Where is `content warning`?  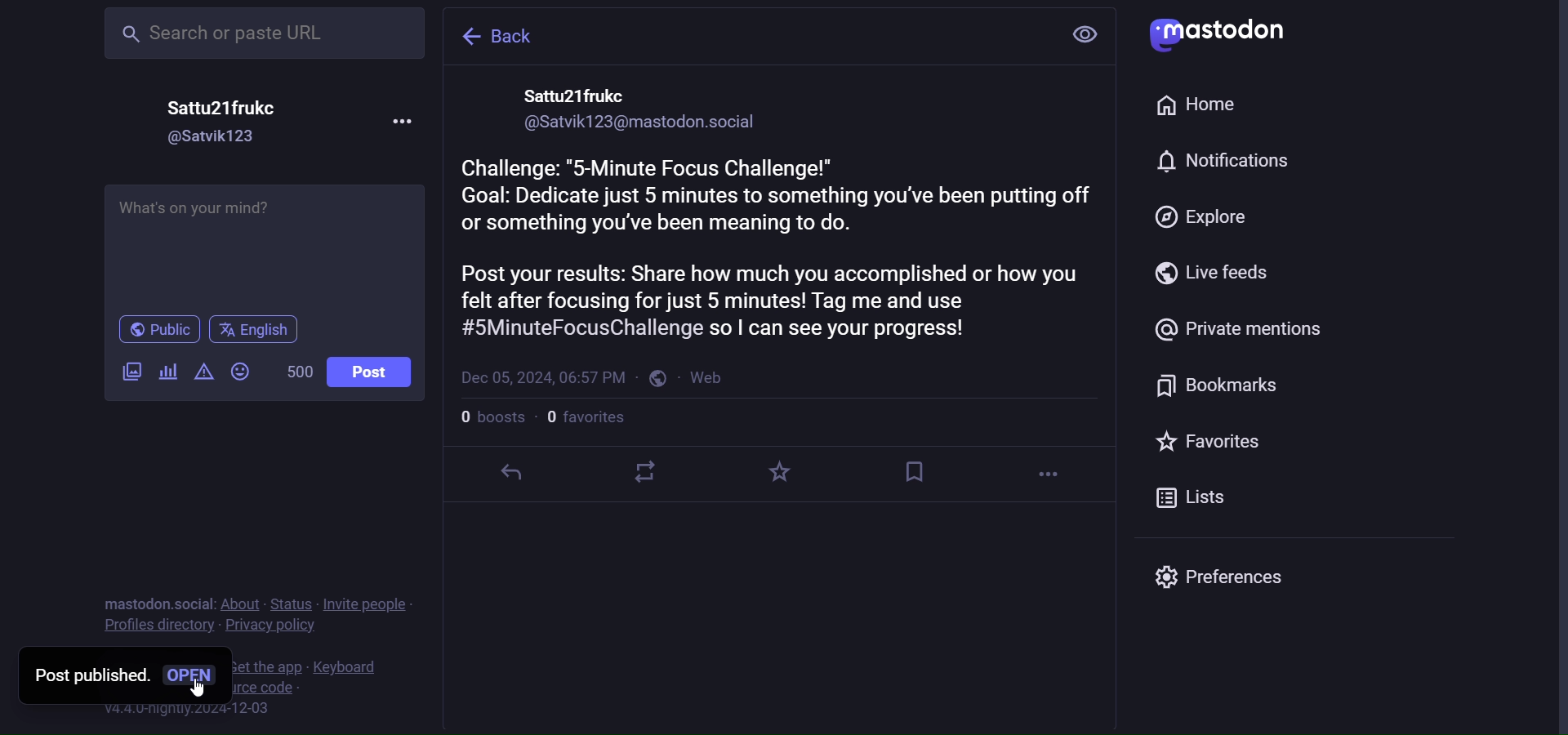 content warning is located at coordinates (207, 372).